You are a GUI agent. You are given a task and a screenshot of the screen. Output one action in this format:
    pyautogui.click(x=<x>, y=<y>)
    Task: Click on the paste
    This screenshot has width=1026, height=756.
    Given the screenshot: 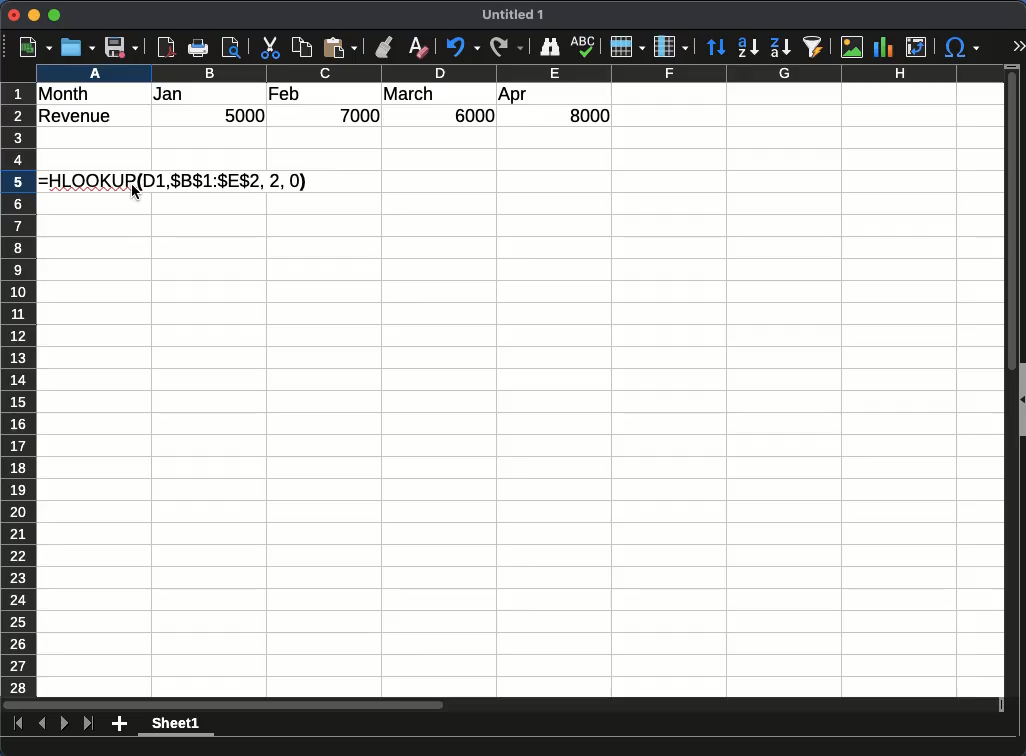 What is the action you would take?
    pyautogui.click(x=340, y=47)
    